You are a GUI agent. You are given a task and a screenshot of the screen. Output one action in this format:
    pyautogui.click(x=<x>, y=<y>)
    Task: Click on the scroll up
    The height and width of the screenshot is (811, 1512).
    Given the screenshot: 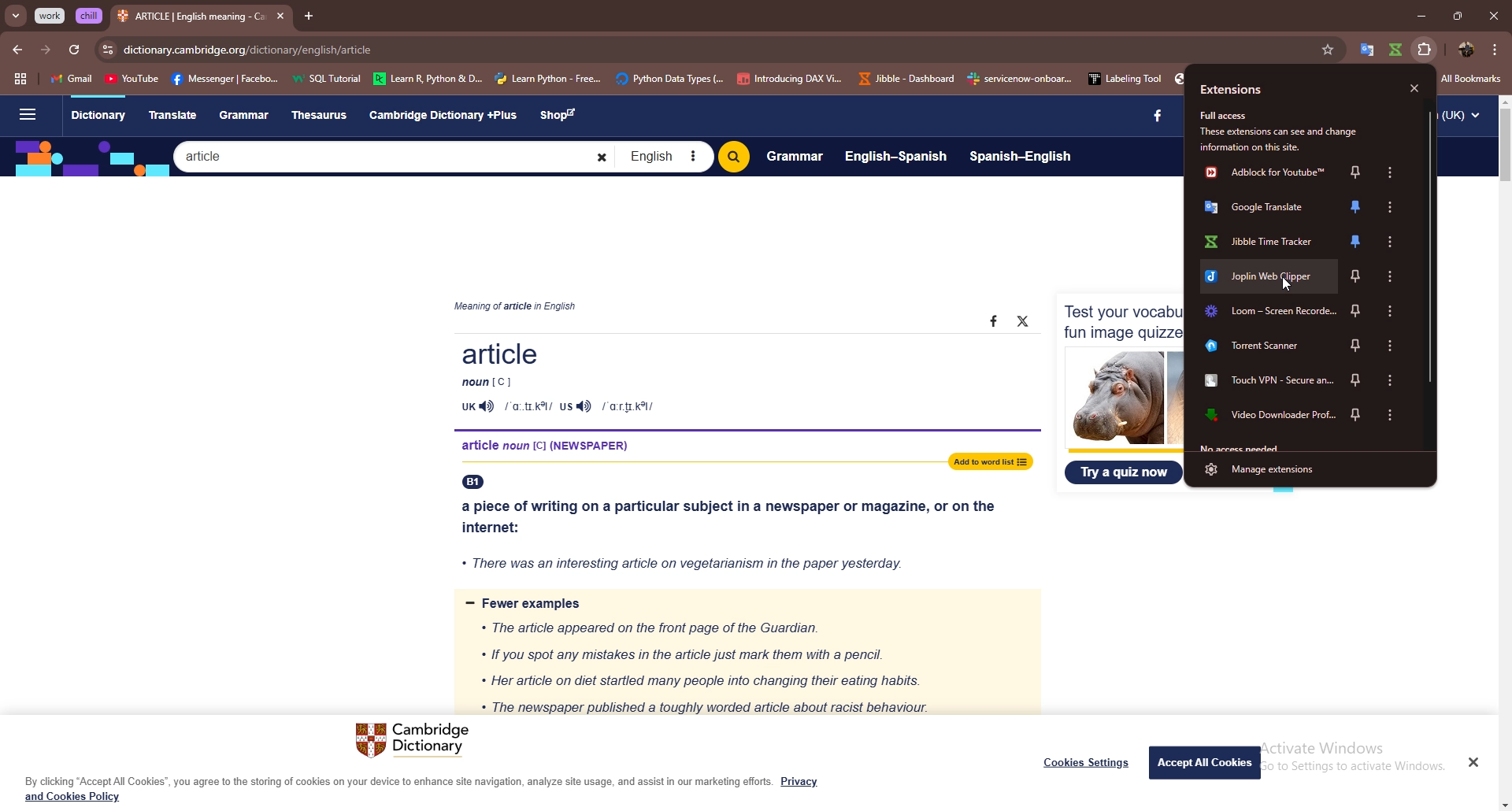 What is the action you would take?
    pyautogui.click(x=1503, y=101)
    